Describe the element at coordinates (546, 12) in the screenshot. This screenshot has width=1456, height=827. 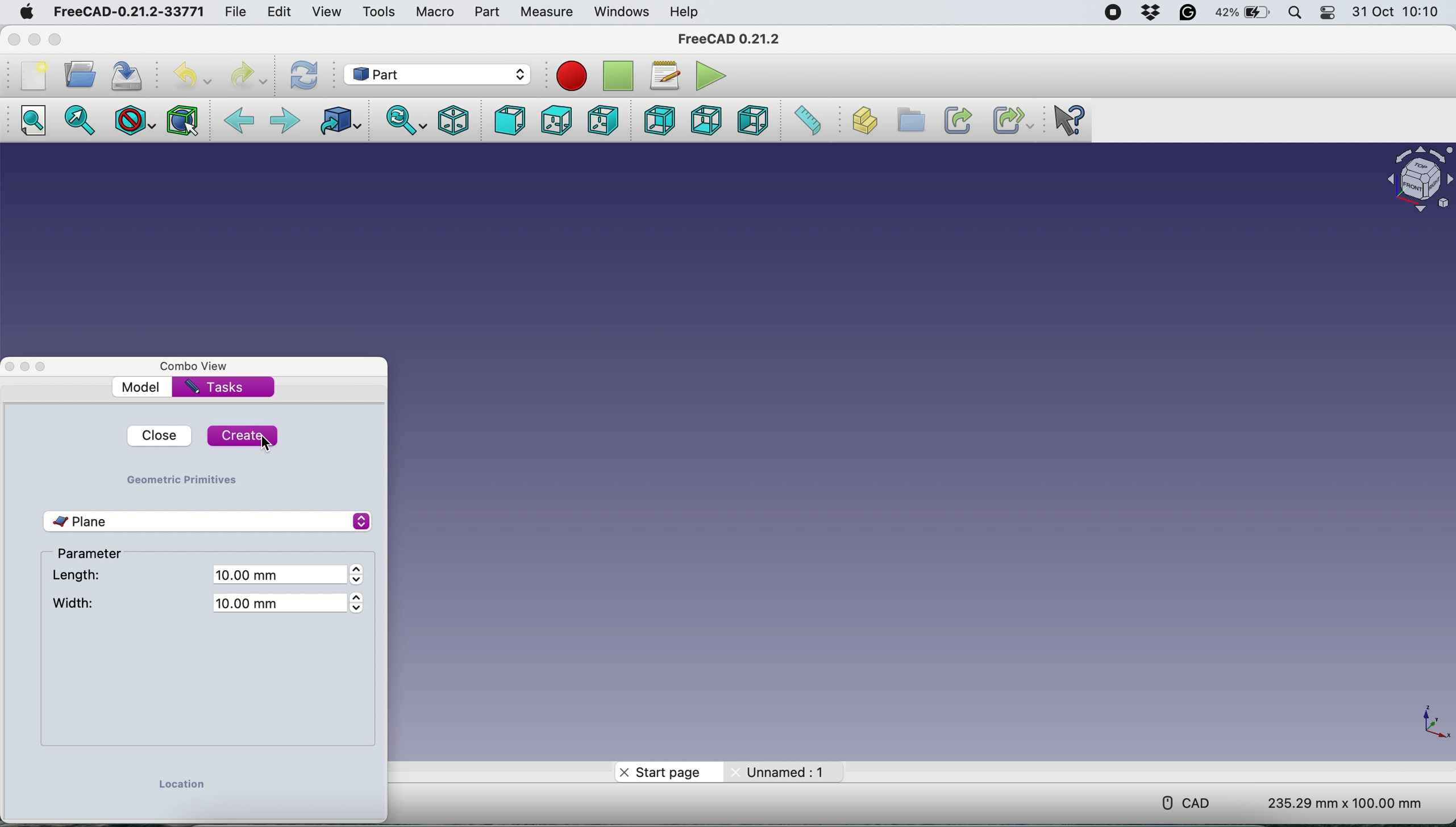
I see `Measure` at that location.